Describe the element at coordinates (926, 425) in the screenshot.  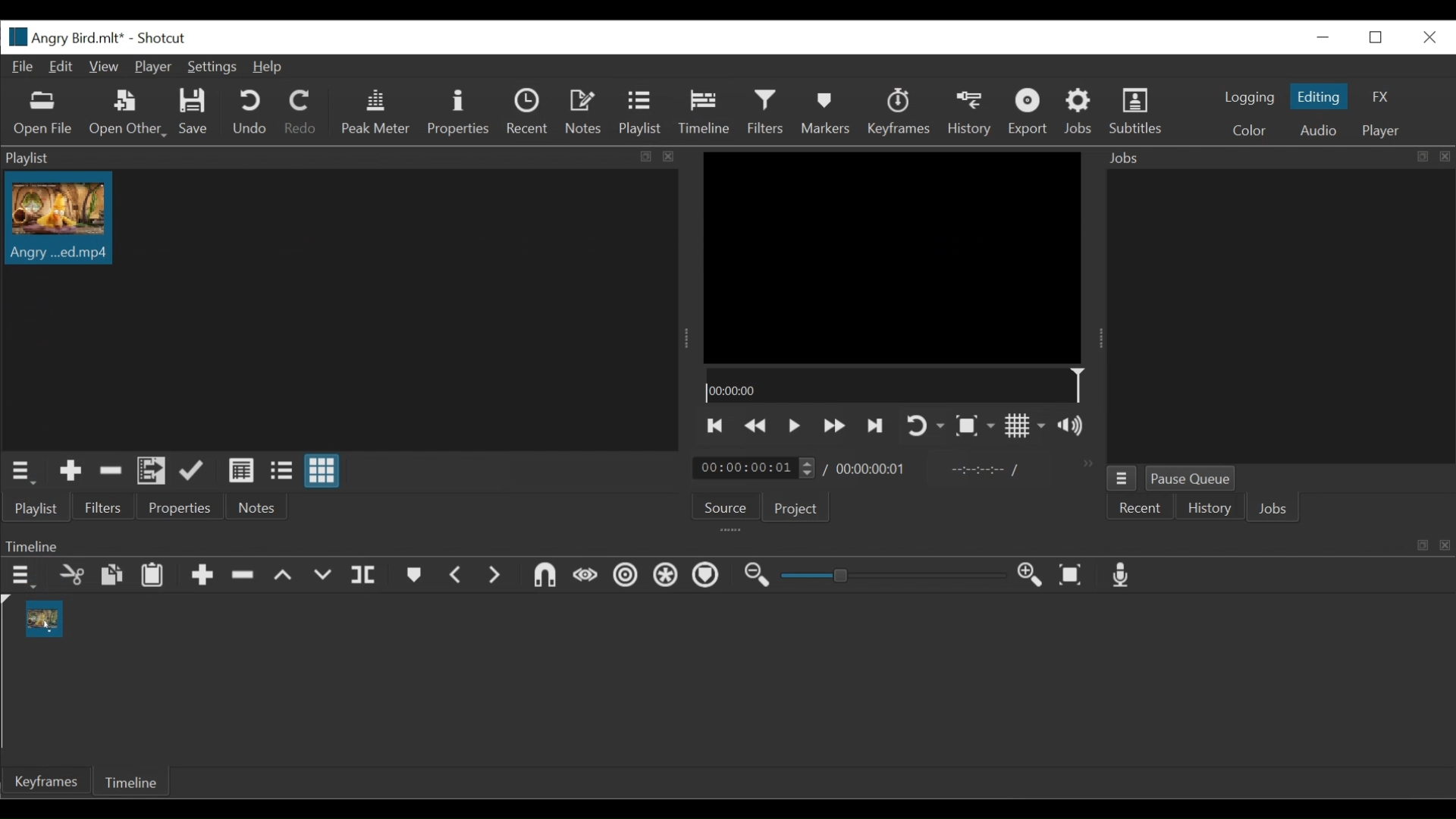
I see `Toggle player looping` at that location.